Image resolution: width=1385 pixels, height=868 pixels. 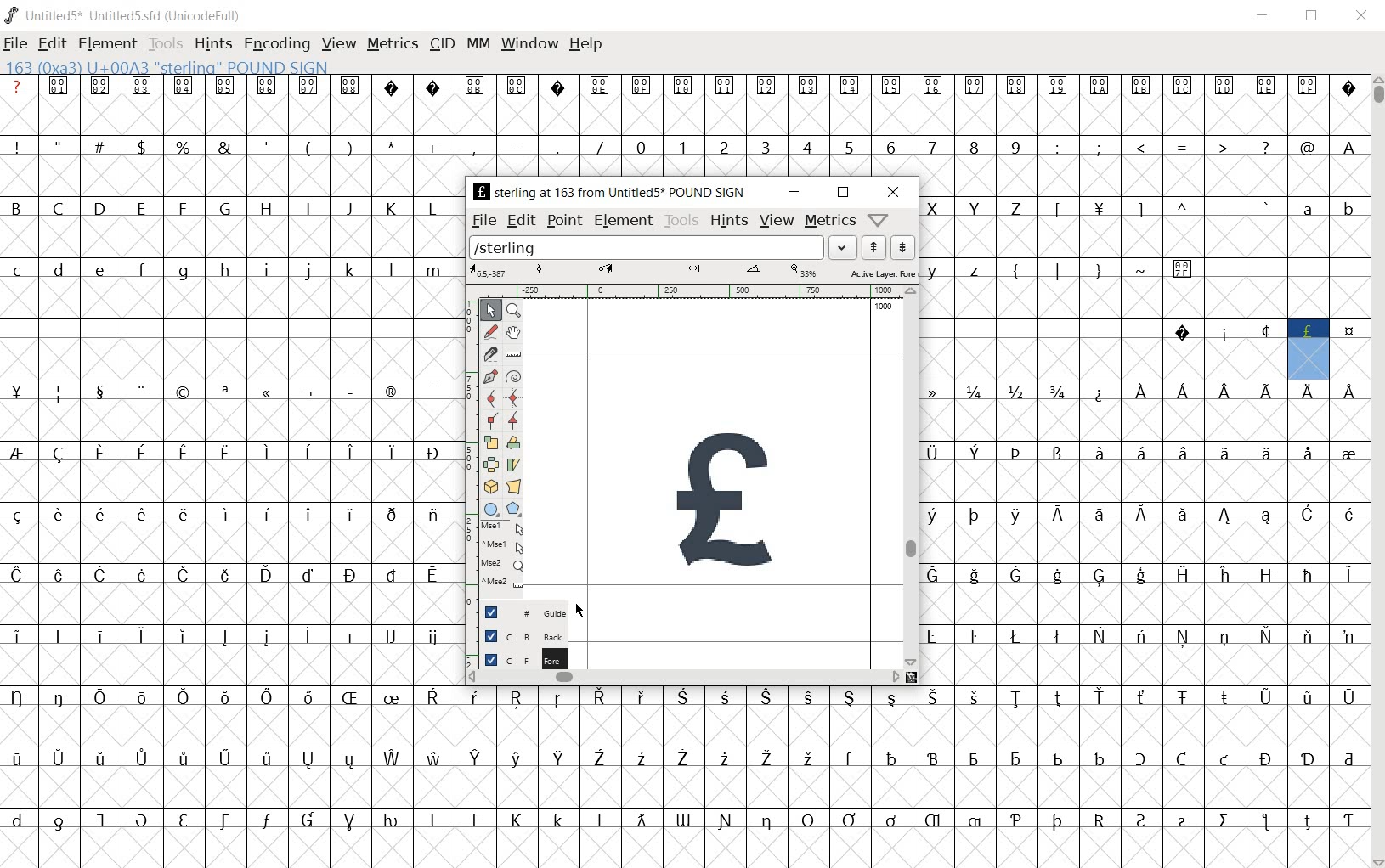 I want to click on Symbol, so click(x=890, y=820).